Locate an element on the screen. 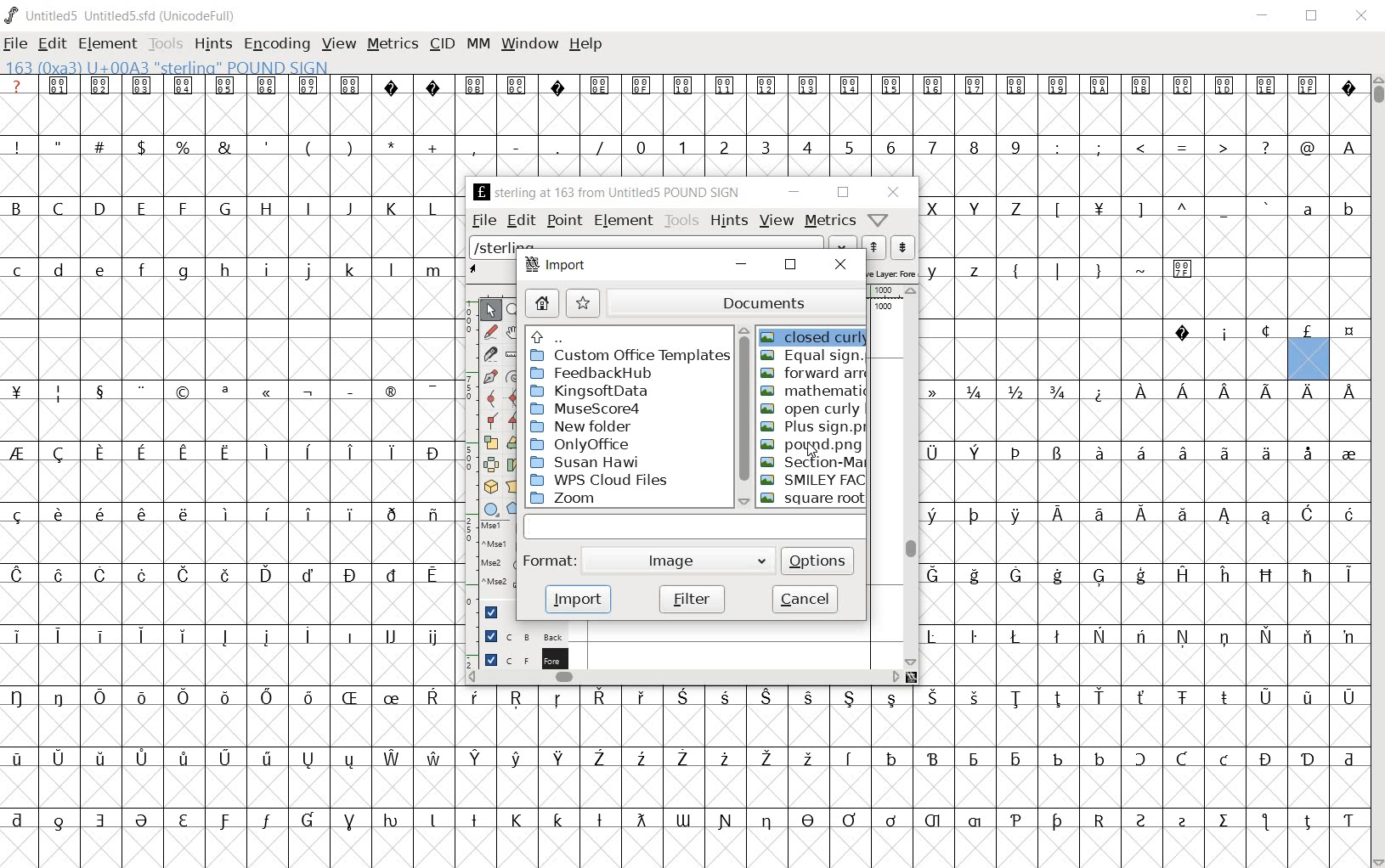  Symbol is located at coordinates (724, 759).